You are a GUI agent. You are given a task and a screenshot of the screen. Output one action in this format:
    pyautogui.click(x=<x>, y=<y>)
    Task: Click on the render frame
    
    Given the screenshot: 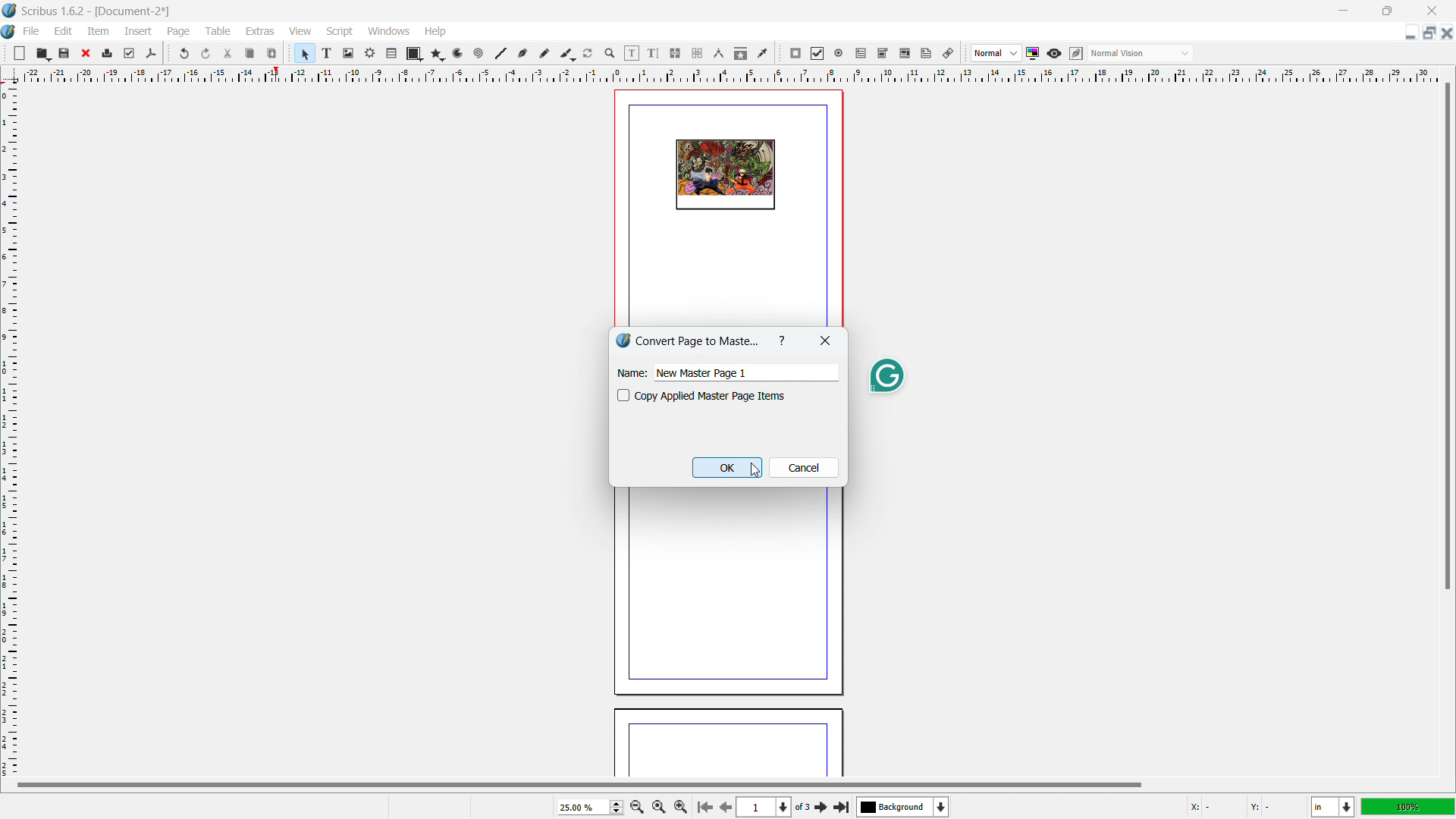 What is the action you would take?
    pyautogui.click(x=370, y=53)
    